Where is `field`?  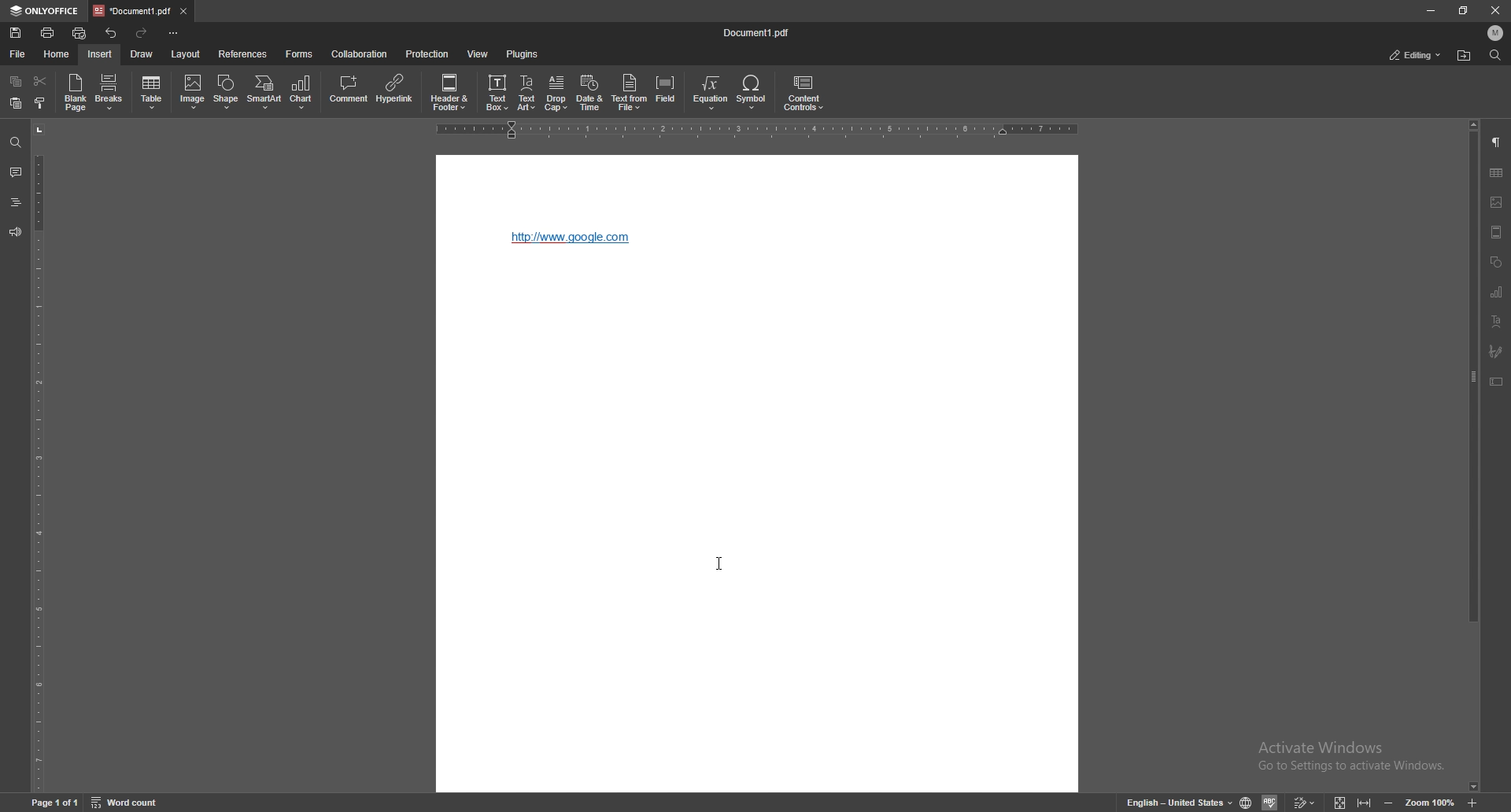 field is located at coordinates (666, 92).